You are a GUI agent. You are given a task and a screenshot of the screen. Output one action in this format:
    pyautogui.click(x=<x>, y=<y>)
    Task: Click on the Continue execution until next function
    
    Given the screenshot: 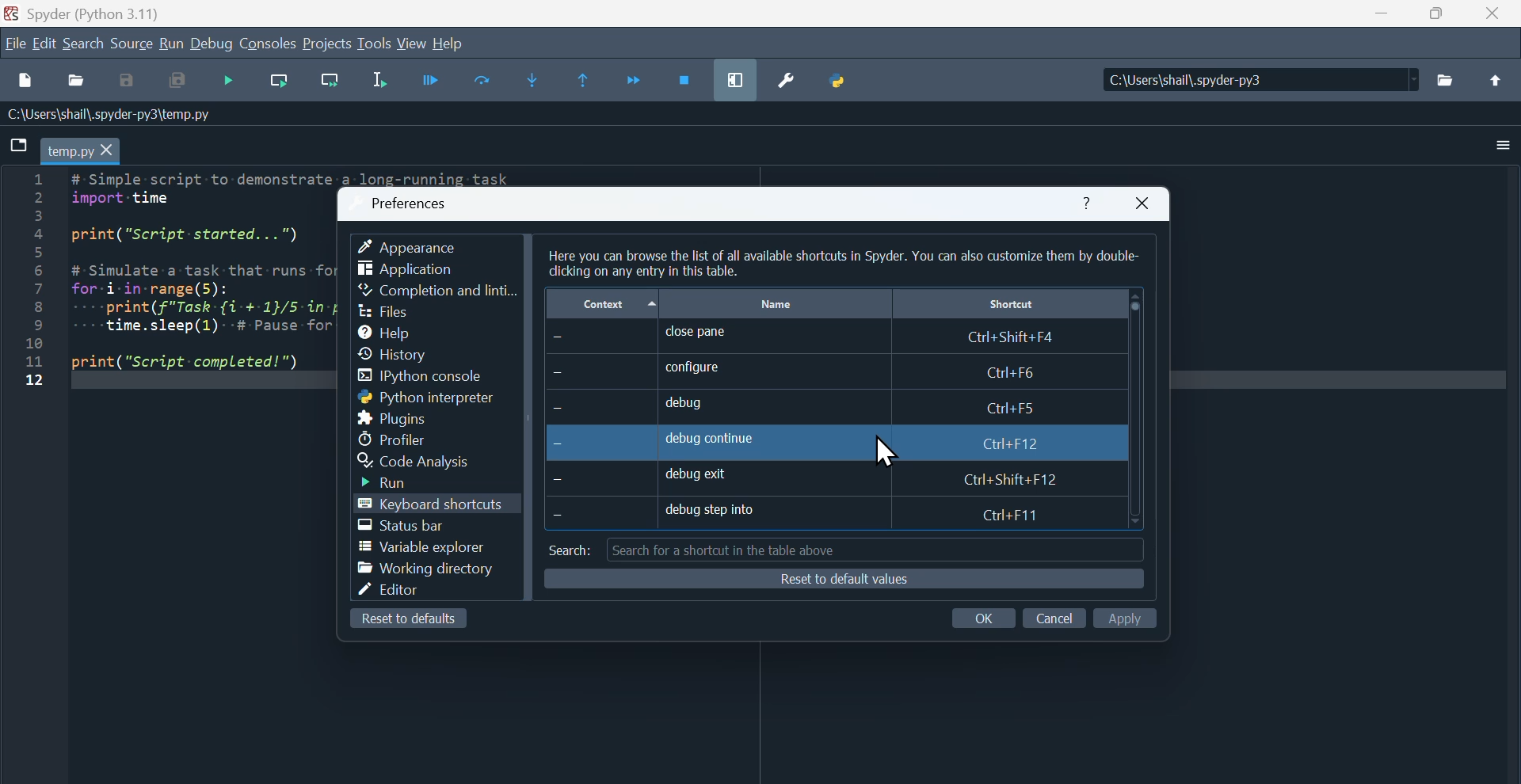 What is the action you would take?
    pyautogui.click(x=639, y=76)
    